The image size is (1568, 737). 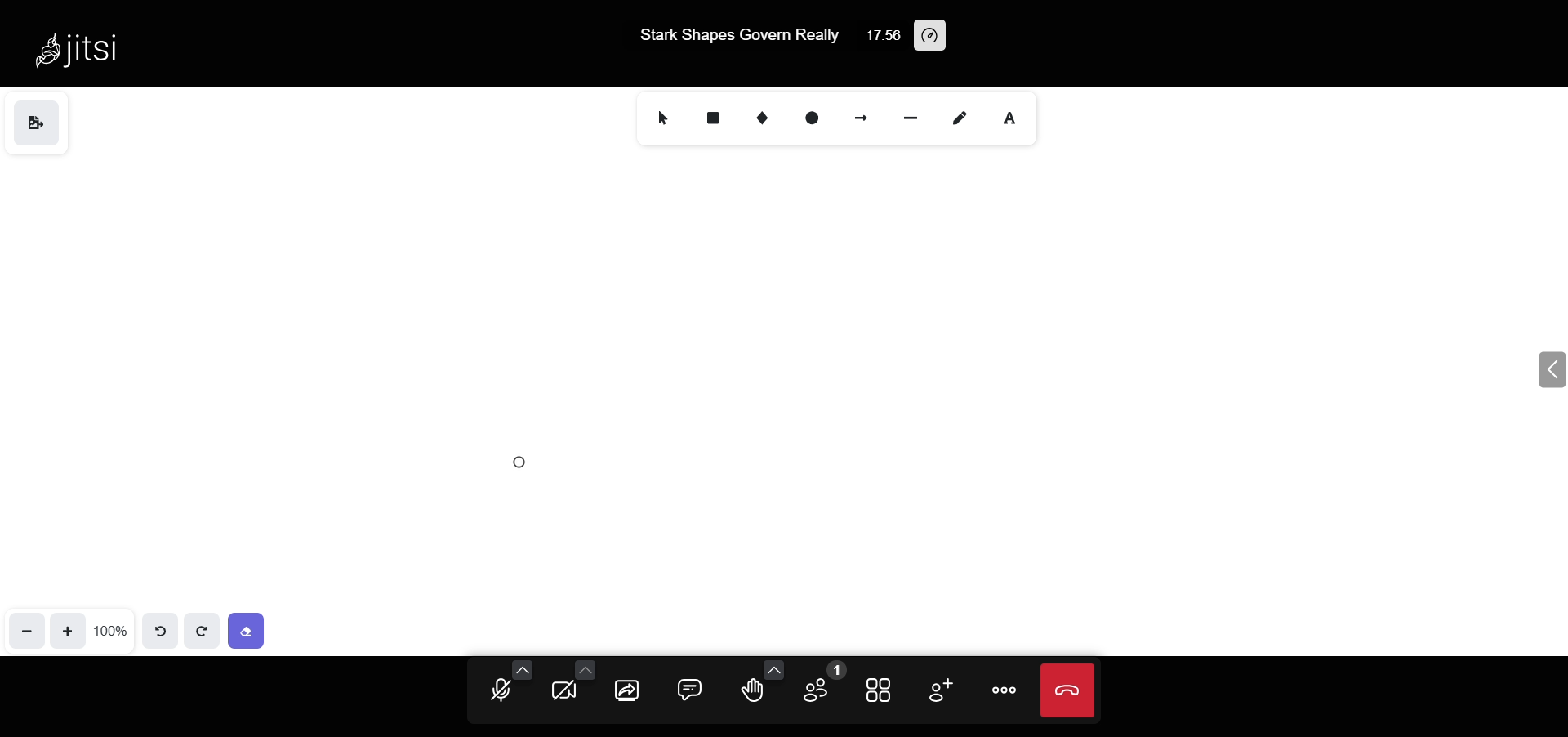 What do you see at coordinates (626, 690) in the screenshot?
I see `screen share` at bounding box center [626, 690].